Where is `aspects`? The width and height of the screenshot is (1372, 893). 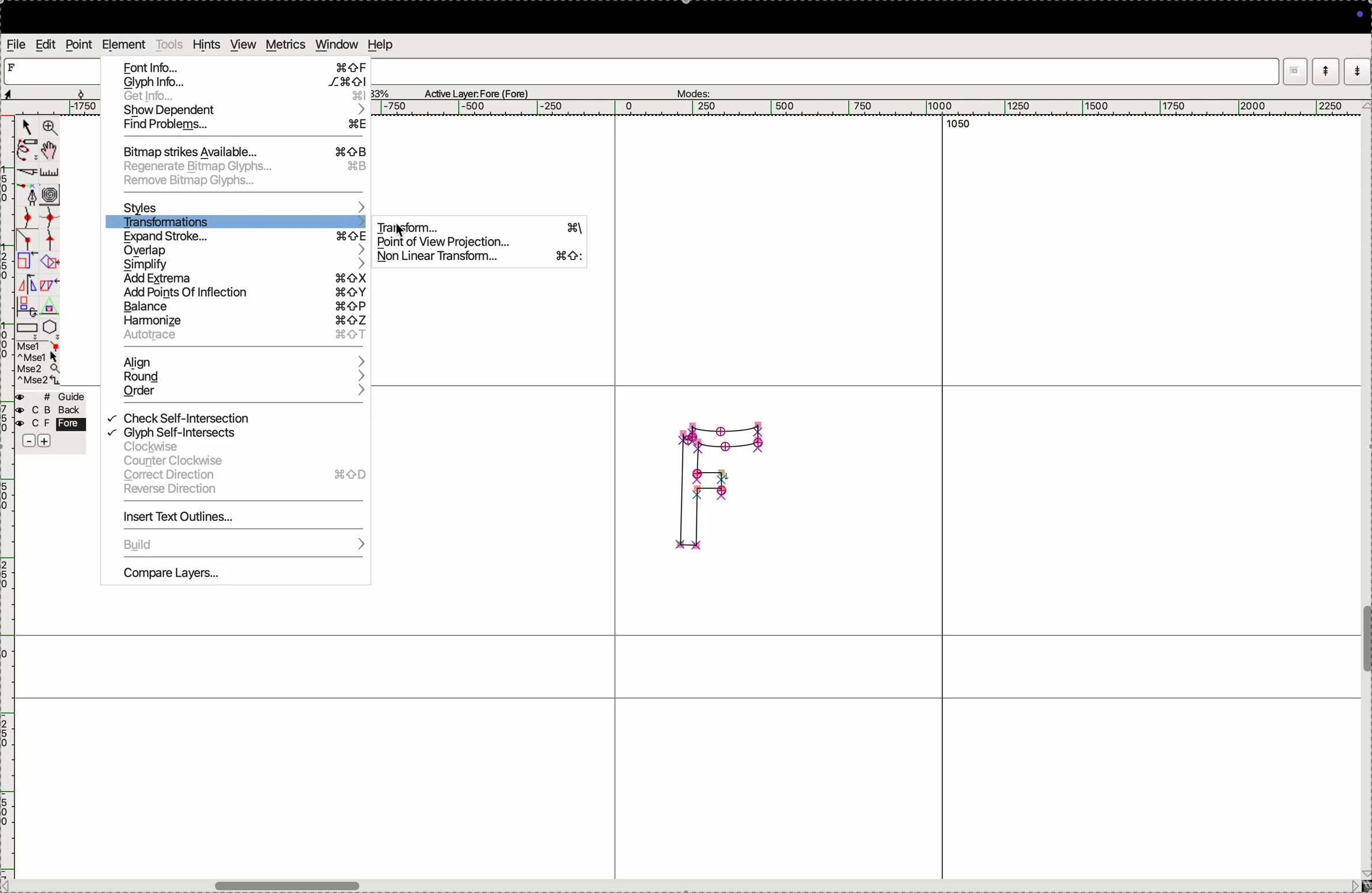
aspects is located at coordinates (42, 91).